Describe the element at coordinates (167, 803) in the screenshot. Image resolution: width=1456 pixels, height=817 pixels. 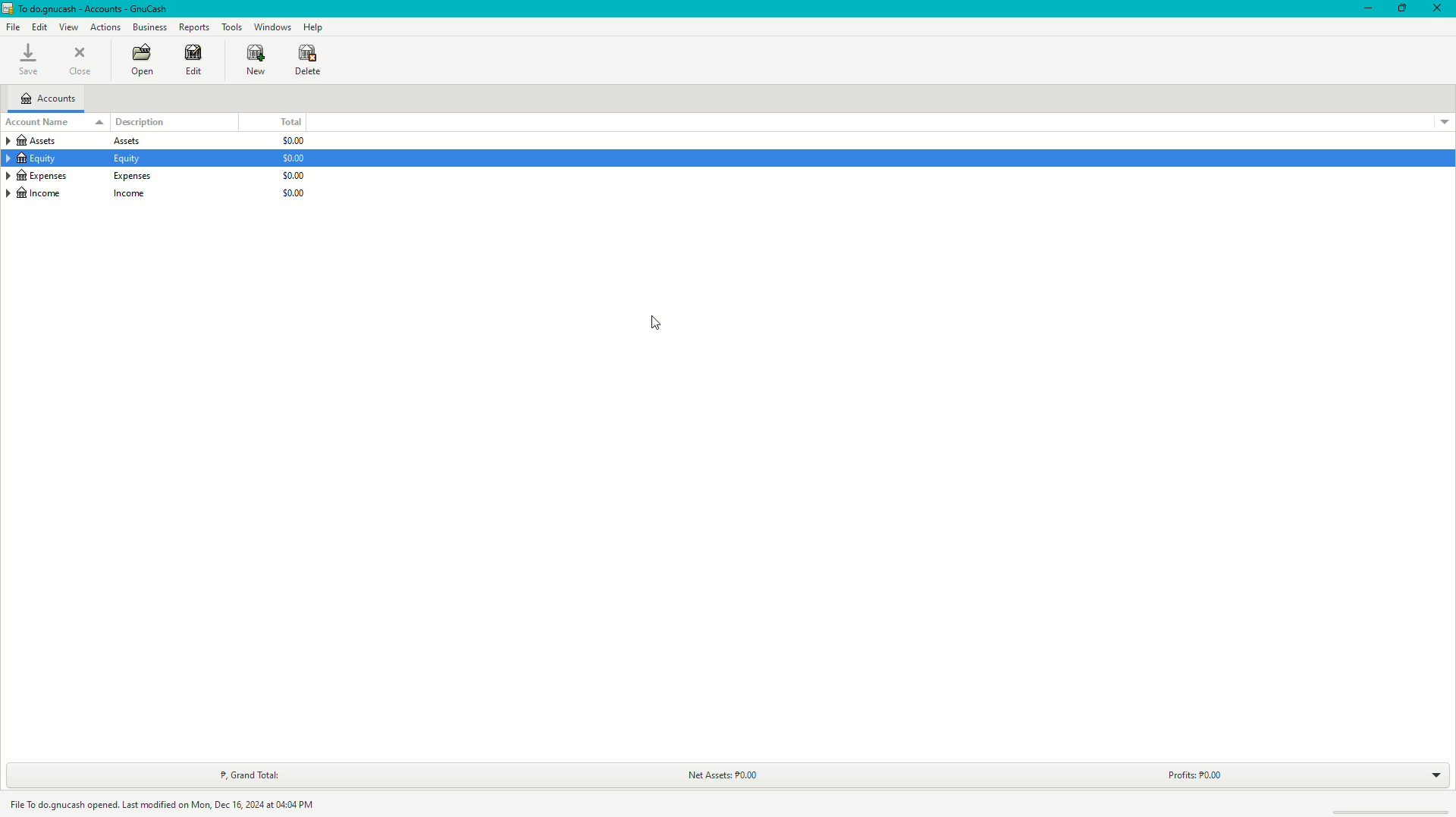
I see `Save notification` at that location.